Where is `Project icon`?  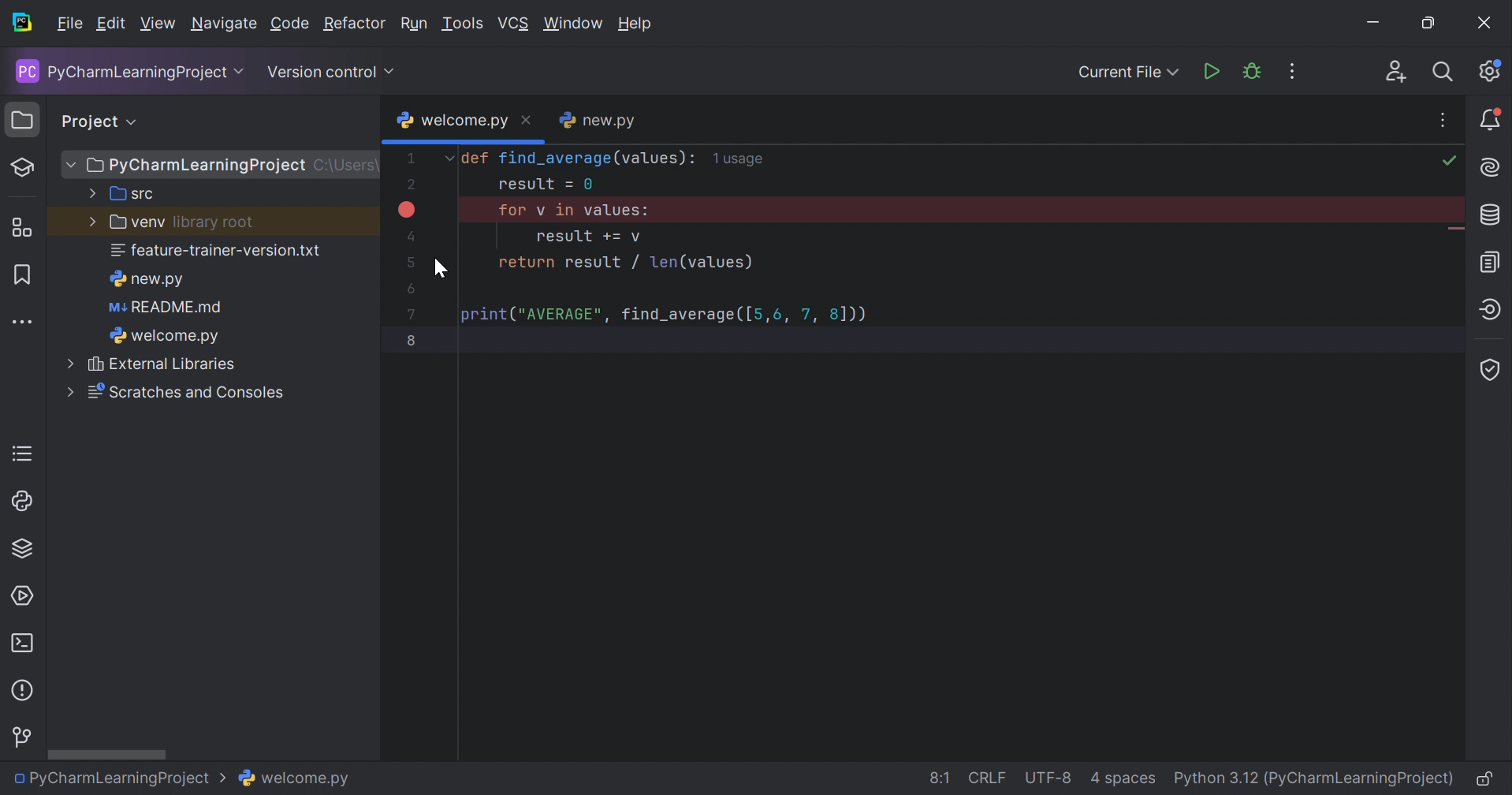 Project icon is located at coordinates (19, 118).